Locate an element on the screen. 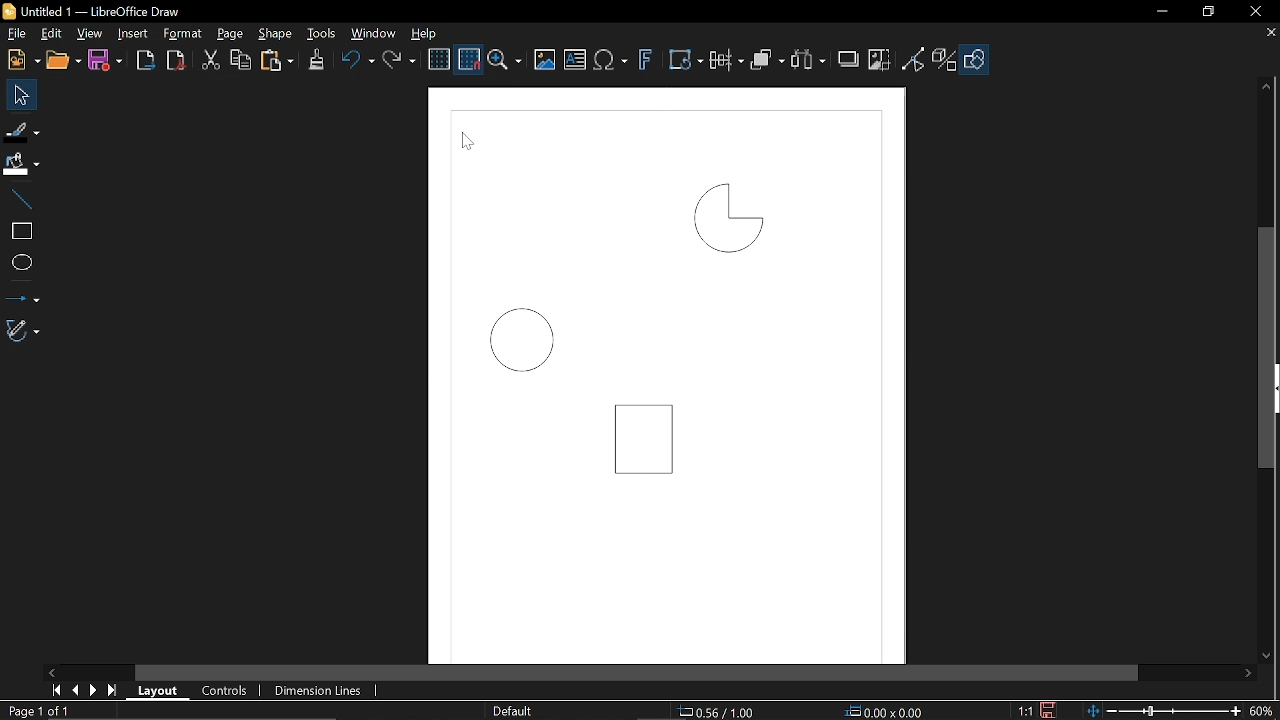  page is located at coordinates (37, 710).